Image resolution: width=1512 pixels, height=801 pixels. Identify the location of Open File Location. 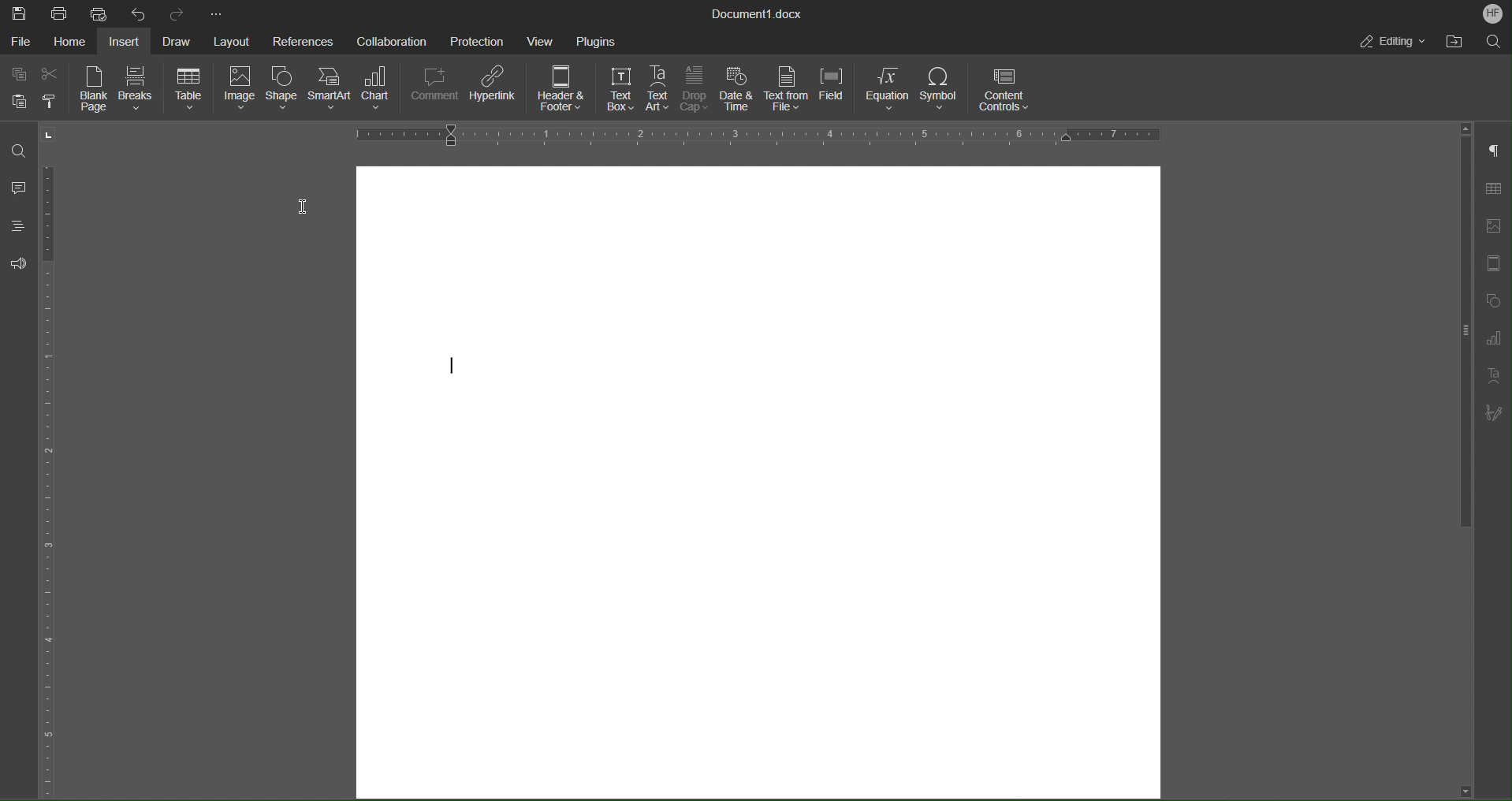
(1459, 42).